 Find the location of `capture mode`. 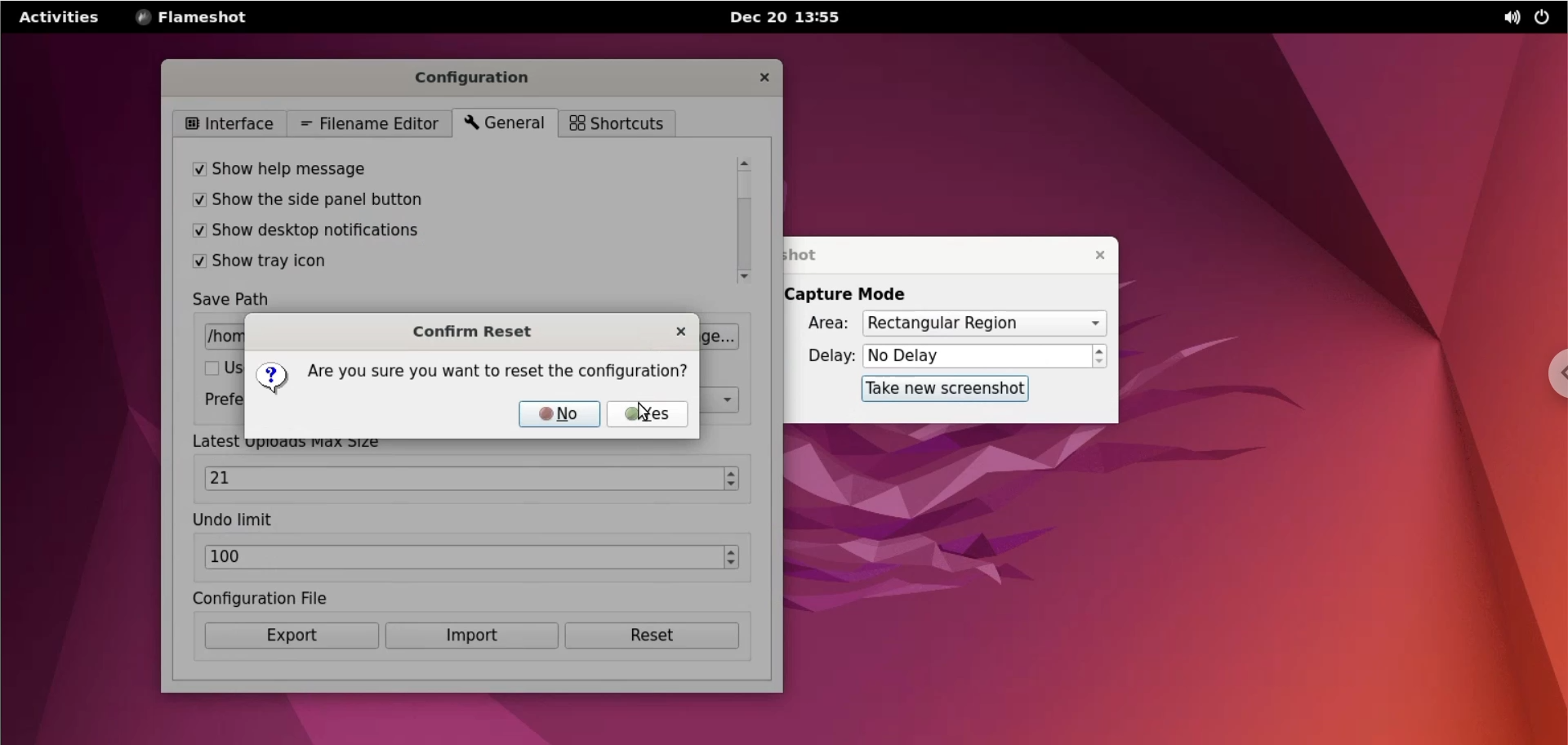

capture mode is located at coordinates (861, 294).